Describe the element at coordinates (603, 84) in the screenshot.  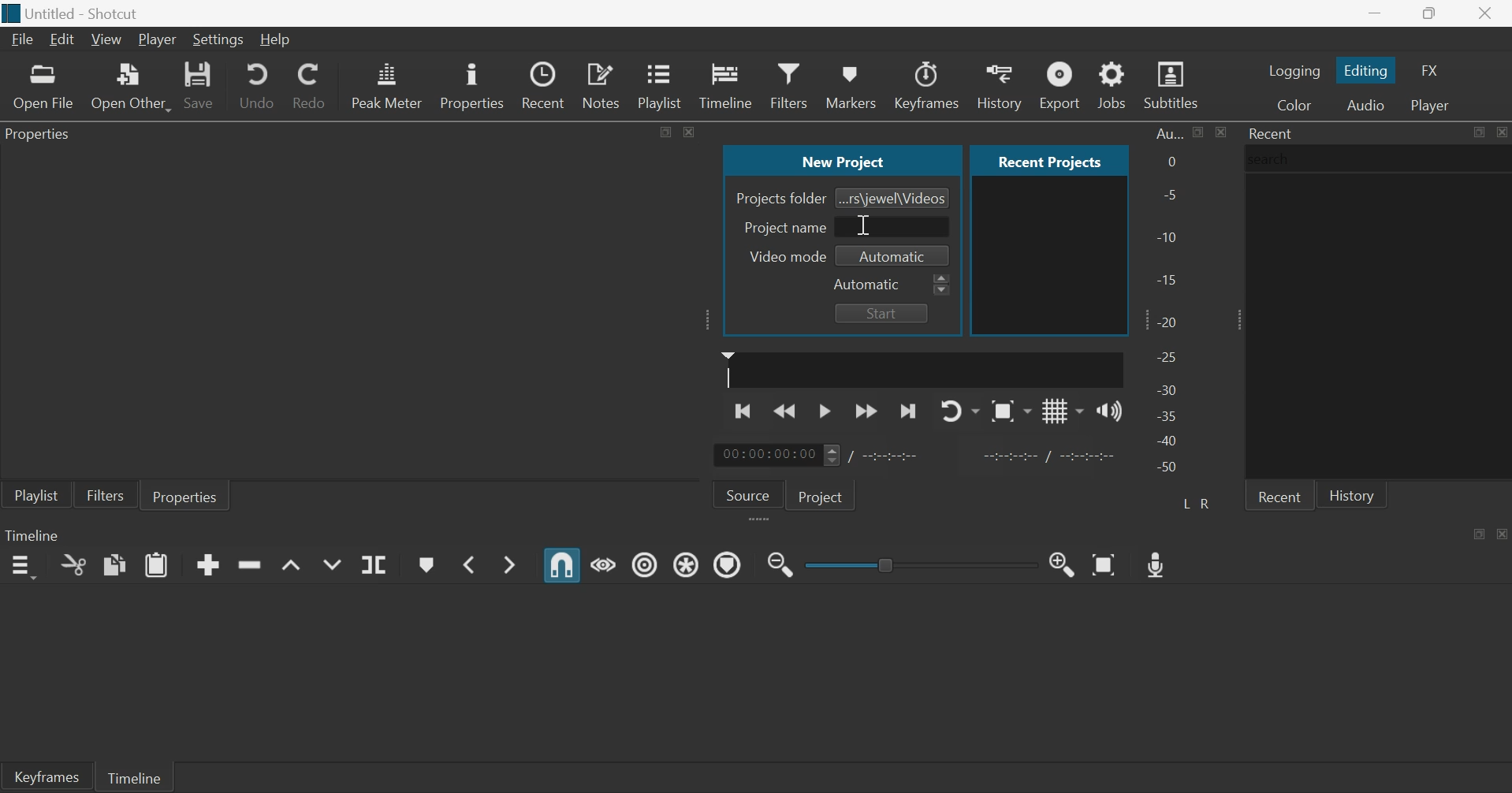
I see `Notes` at that location.